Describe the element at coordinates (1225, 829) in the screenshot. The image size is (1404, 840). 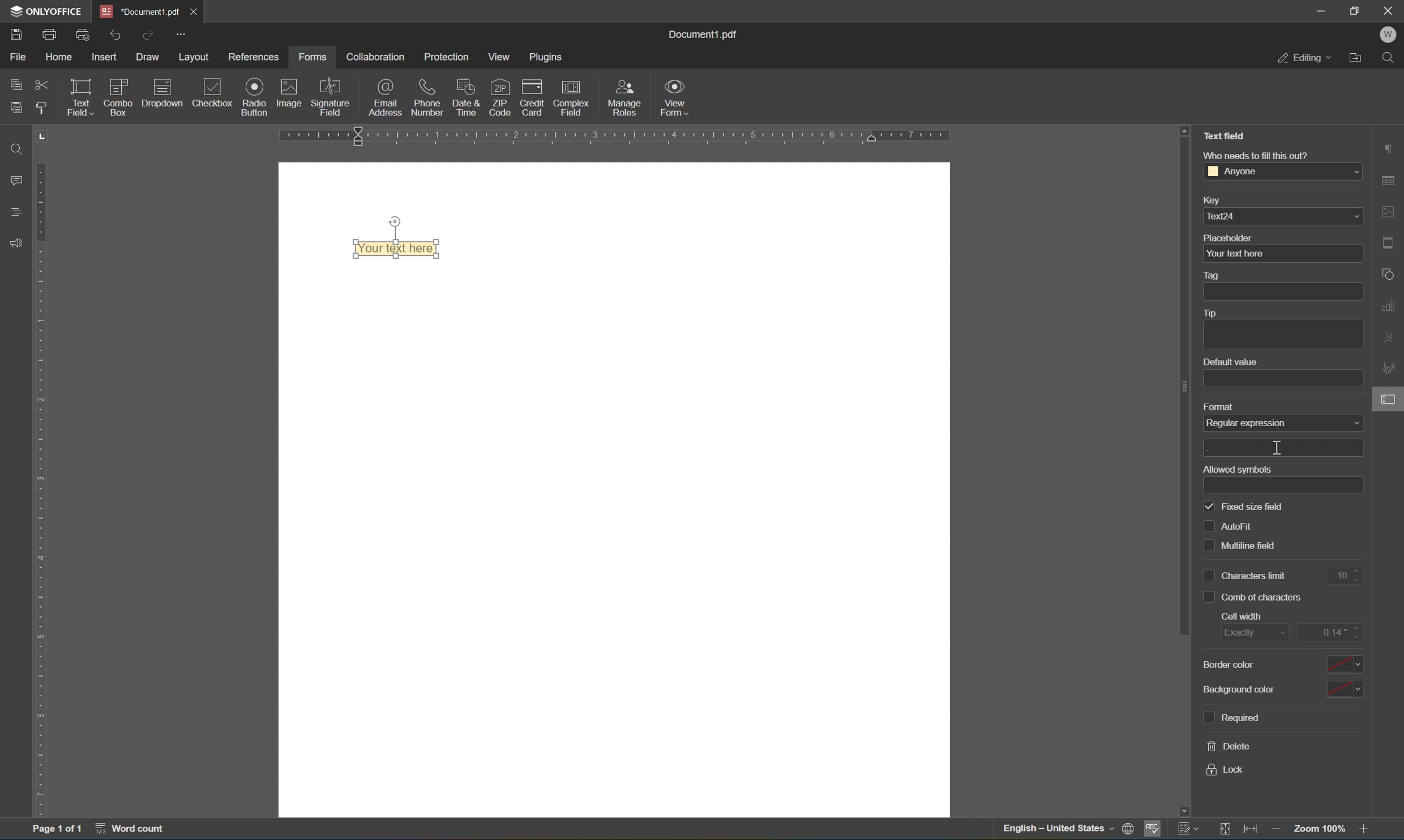
I see `fit to page` at that location.